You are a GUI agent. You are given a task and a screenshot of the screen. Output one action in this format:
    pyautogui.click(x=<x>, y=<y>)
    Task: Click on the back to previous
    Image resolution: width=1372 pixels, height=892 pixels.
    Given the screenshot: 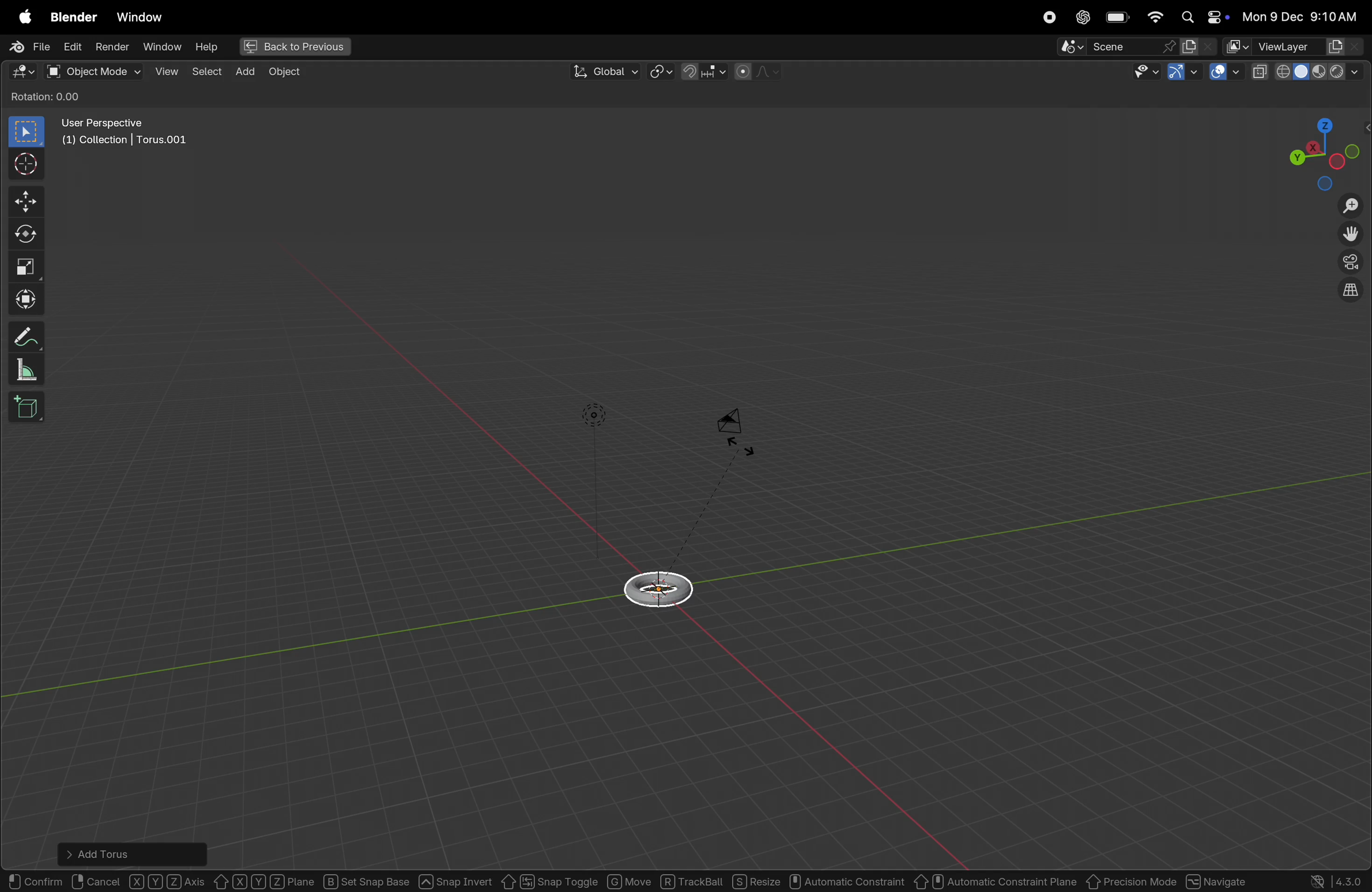 What is the action you would take?
    pyautogui.click(x=293, y=48)
    